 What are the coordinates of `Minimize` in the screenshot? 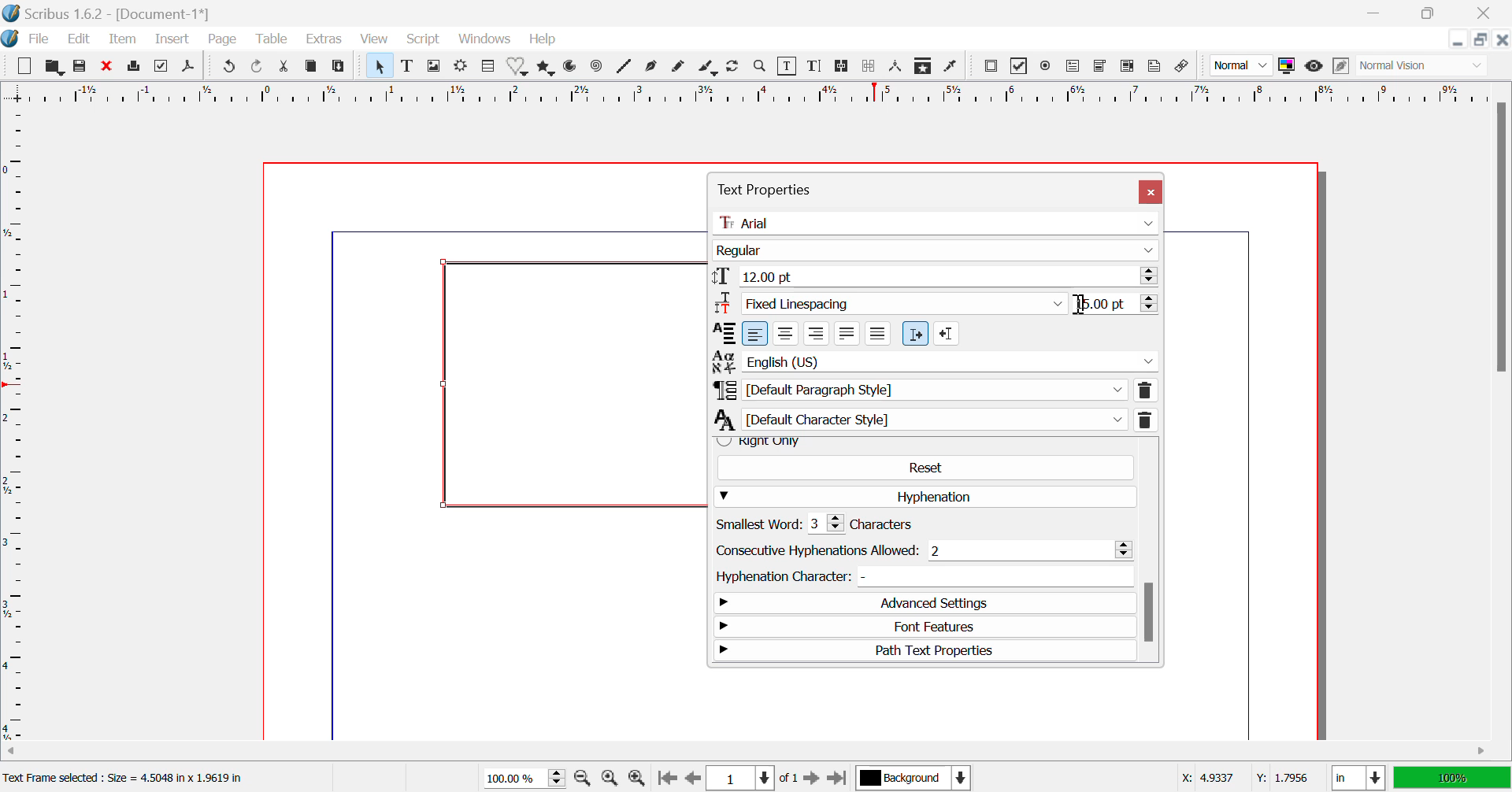 It's located at (1482, 40).